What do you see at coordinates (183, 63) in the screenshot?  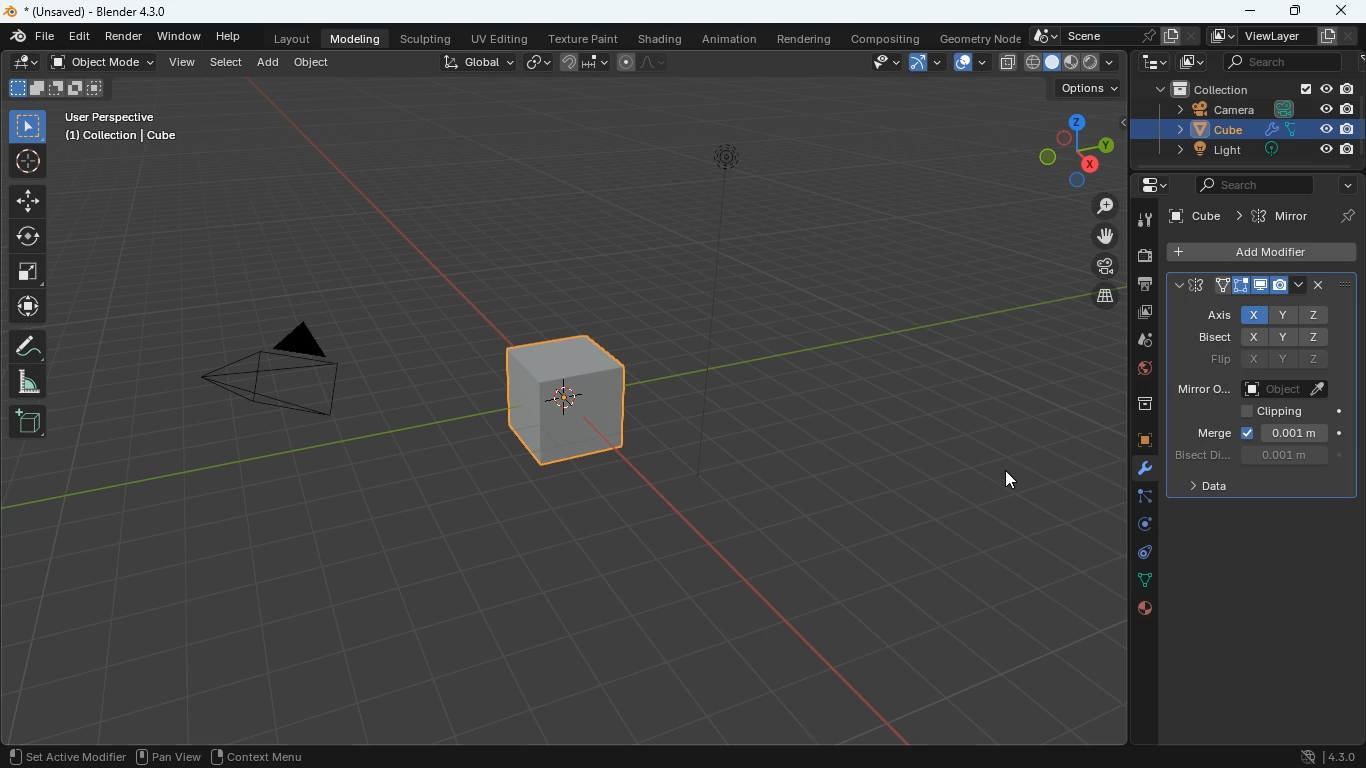 I see `view` at bounding box center [183, 63].